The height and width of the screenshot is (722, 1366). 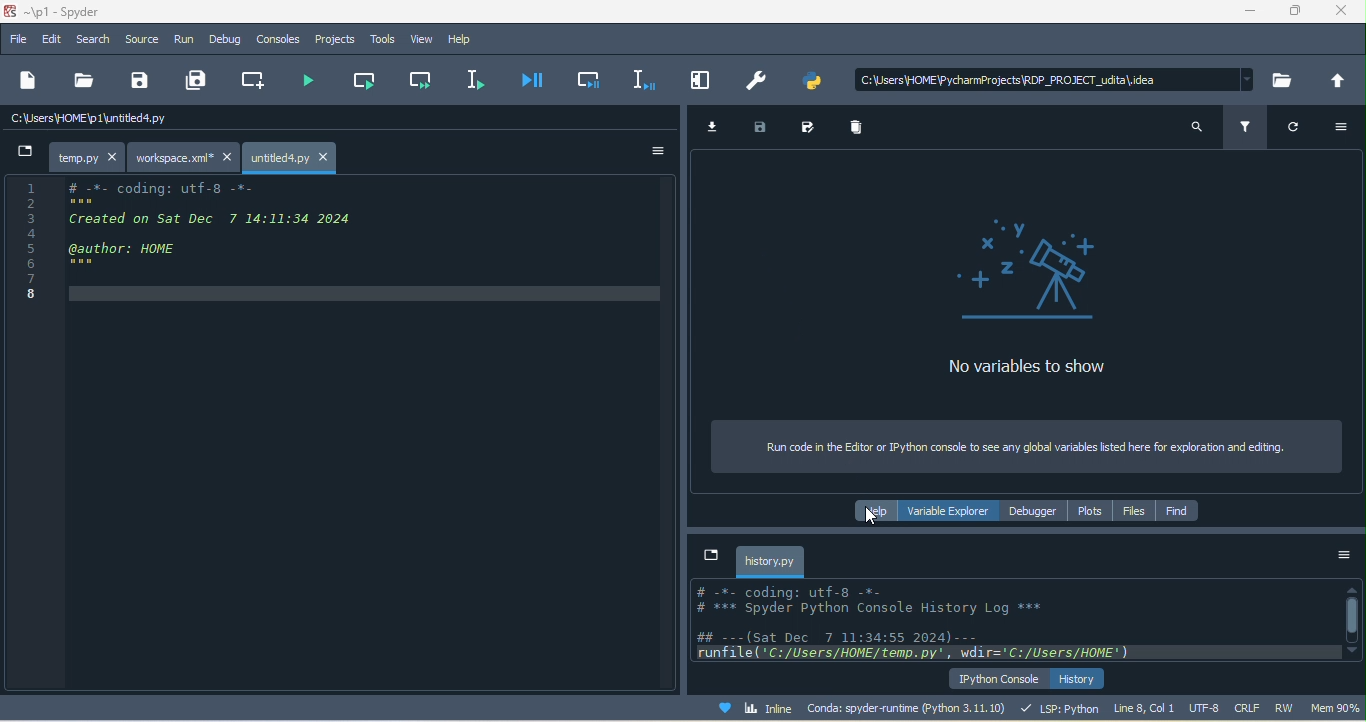 I want to click on filter, so click(x=1245, y=130).